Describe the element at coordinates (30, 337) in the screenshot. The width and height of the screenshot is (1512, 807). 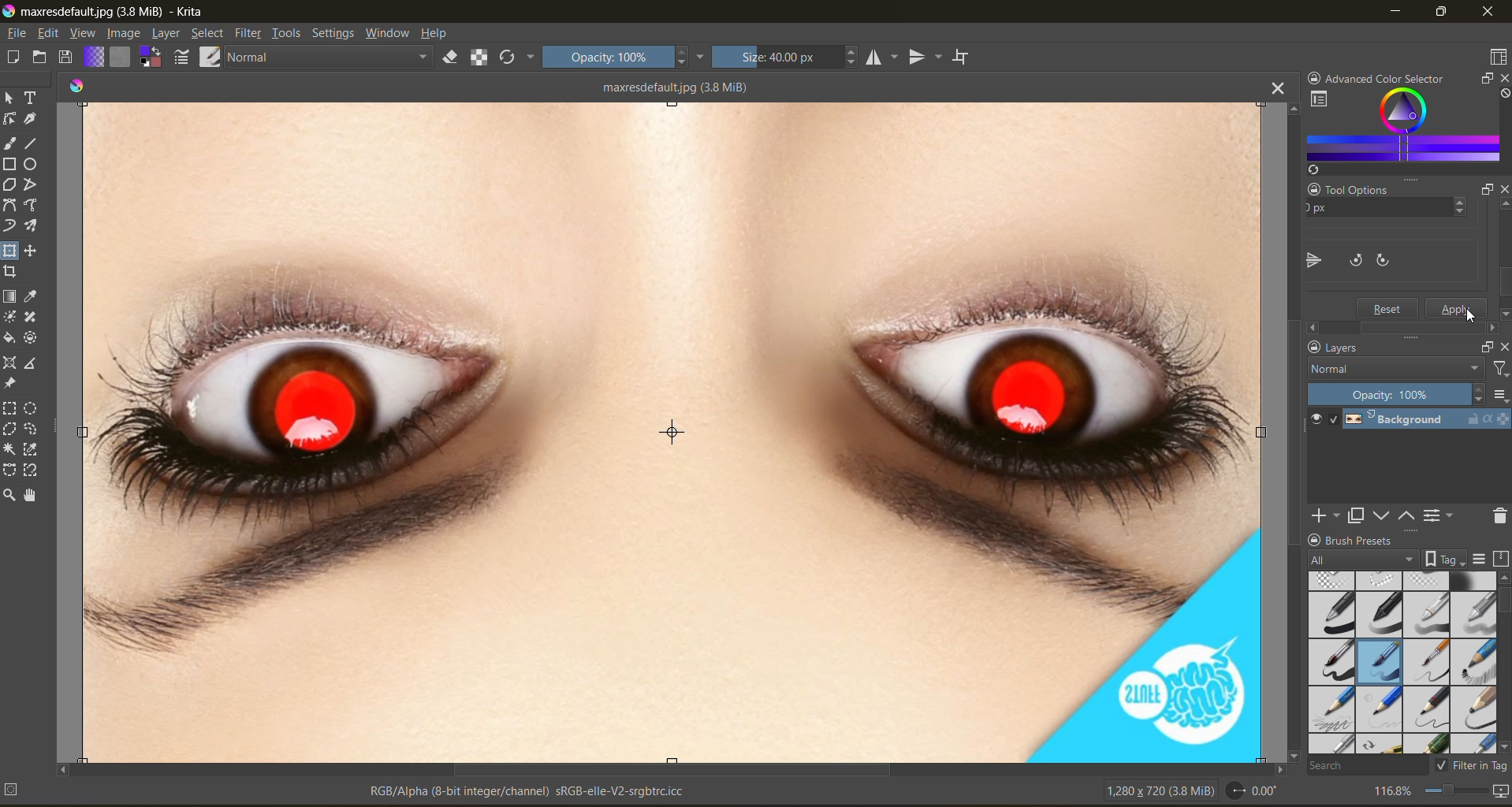
I see `tool` at that location.